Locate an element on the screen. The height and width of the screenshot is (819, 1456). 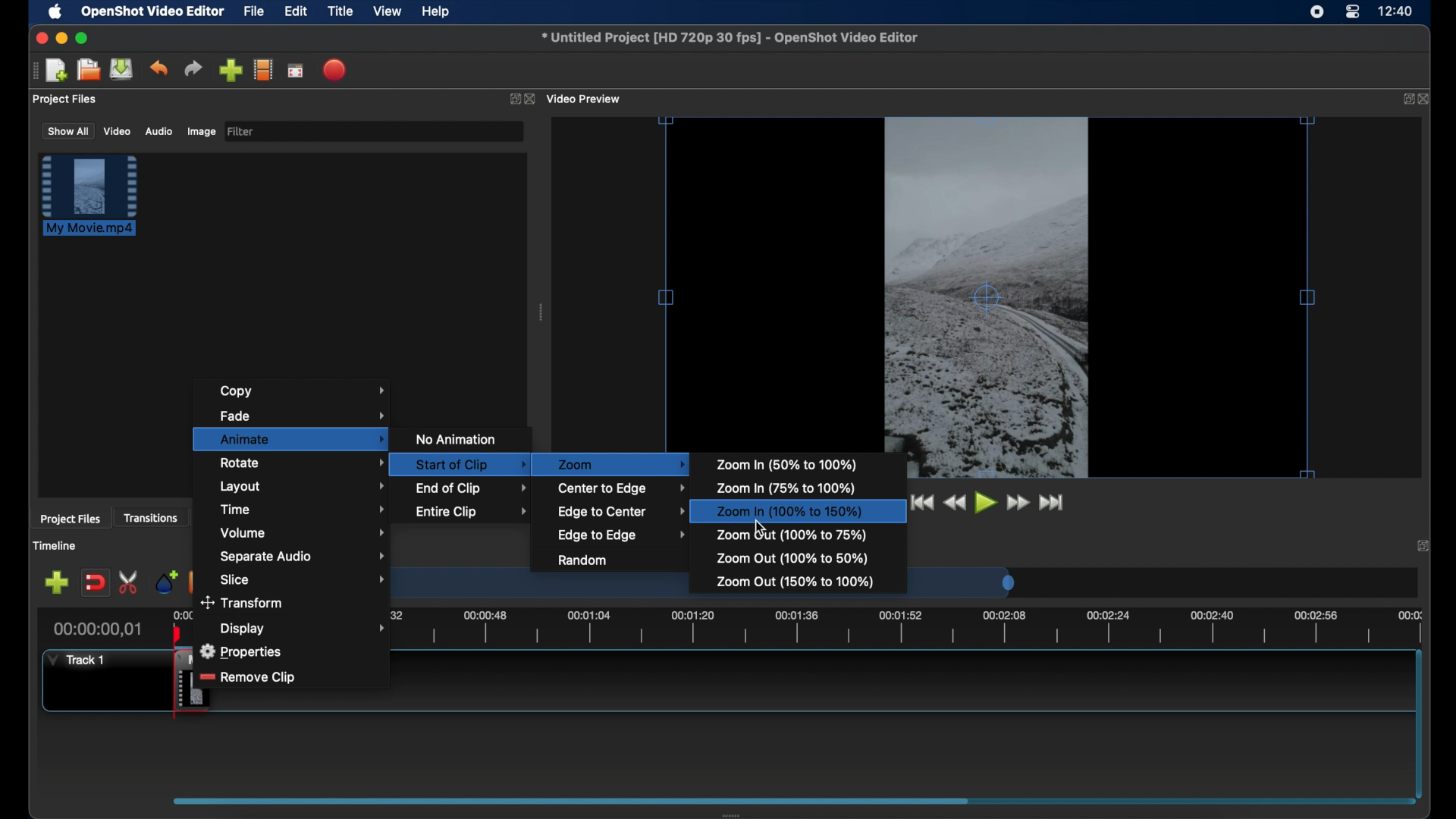
add track is located at coordinates (56, 583).